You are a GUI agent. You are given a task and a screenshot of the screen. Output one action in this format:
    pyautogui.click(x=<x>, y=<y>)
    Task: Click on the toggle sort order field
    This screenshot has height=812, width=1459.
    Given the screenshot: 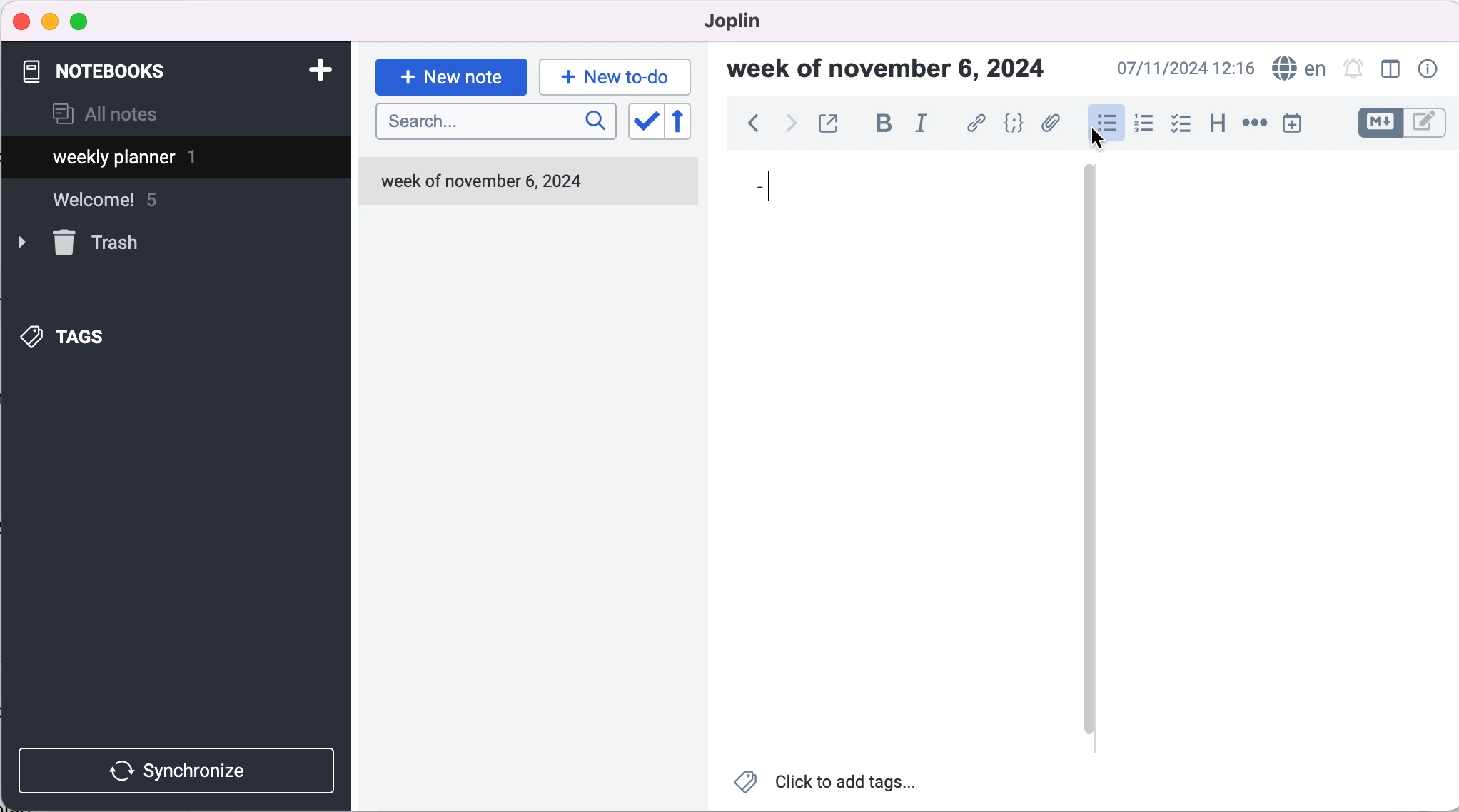 What is the action you would take?
    pyautogui.click(x=644, y=126)
    